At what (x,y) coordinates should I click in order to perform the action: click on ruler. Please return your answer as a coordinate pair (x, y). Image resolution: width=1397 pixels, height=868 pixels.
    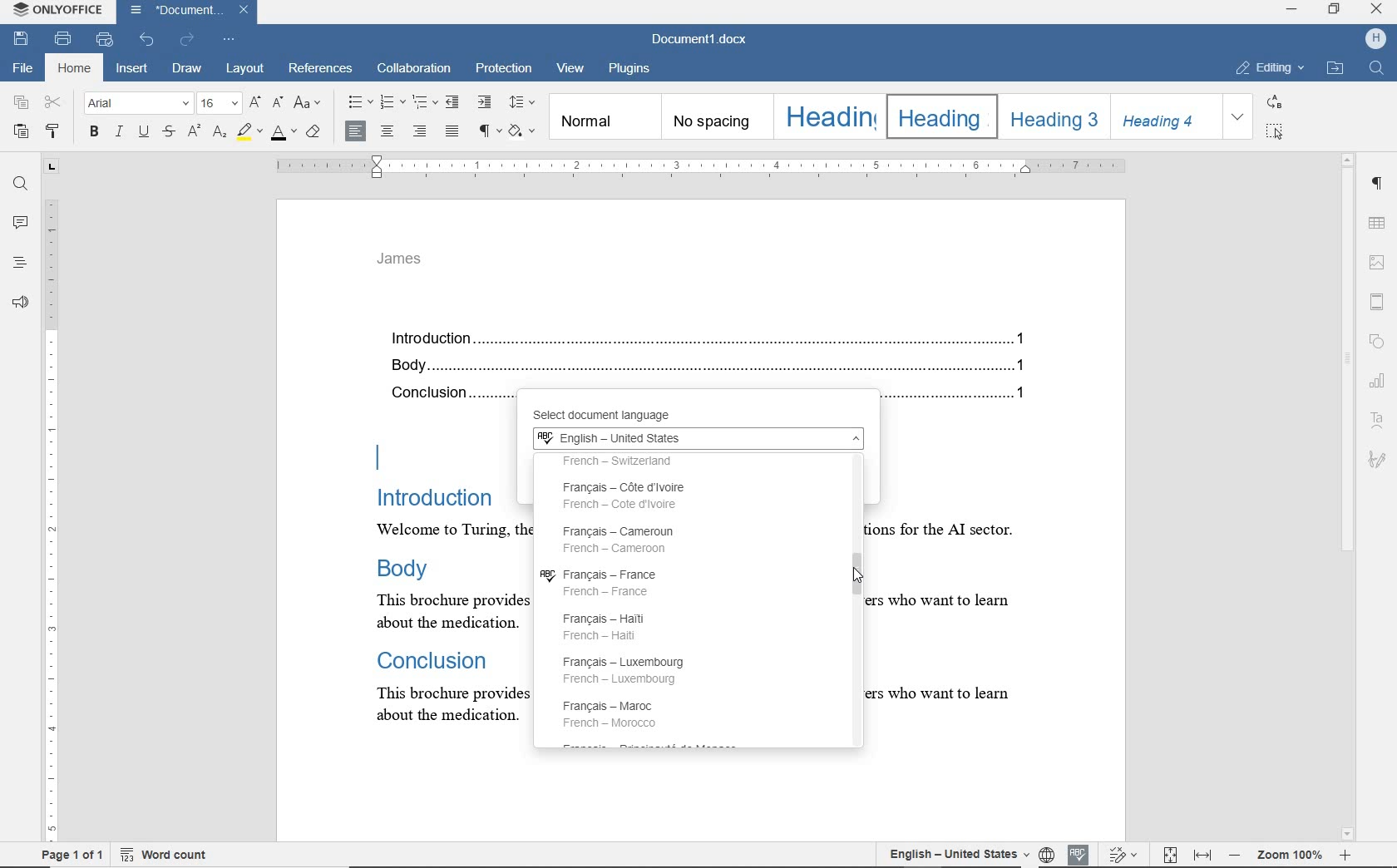
    Looking at the image, I should click on (699, 166).